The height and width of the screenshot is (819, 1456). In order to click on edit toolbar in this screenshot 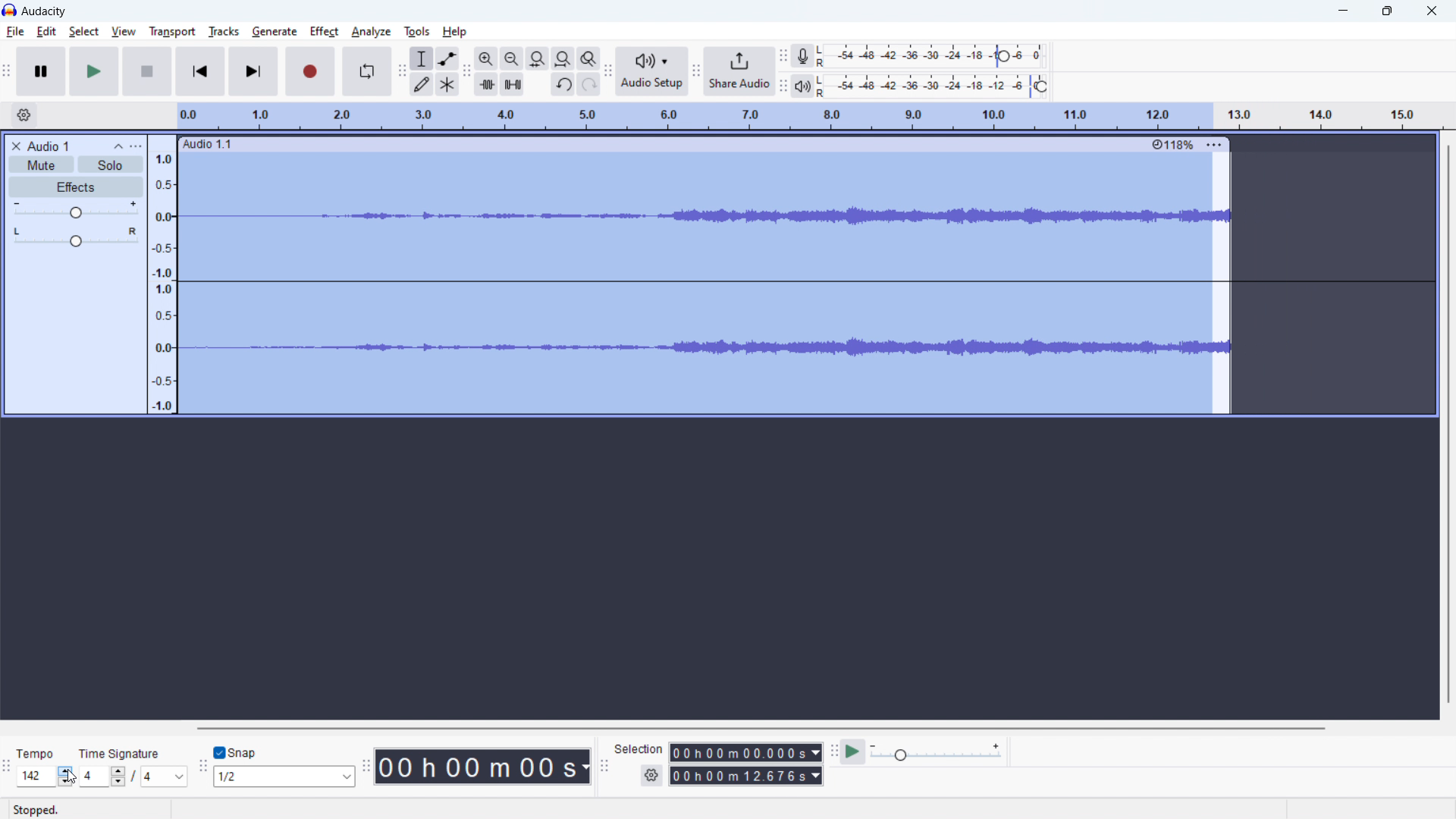, I will do `click(467, 71)`.